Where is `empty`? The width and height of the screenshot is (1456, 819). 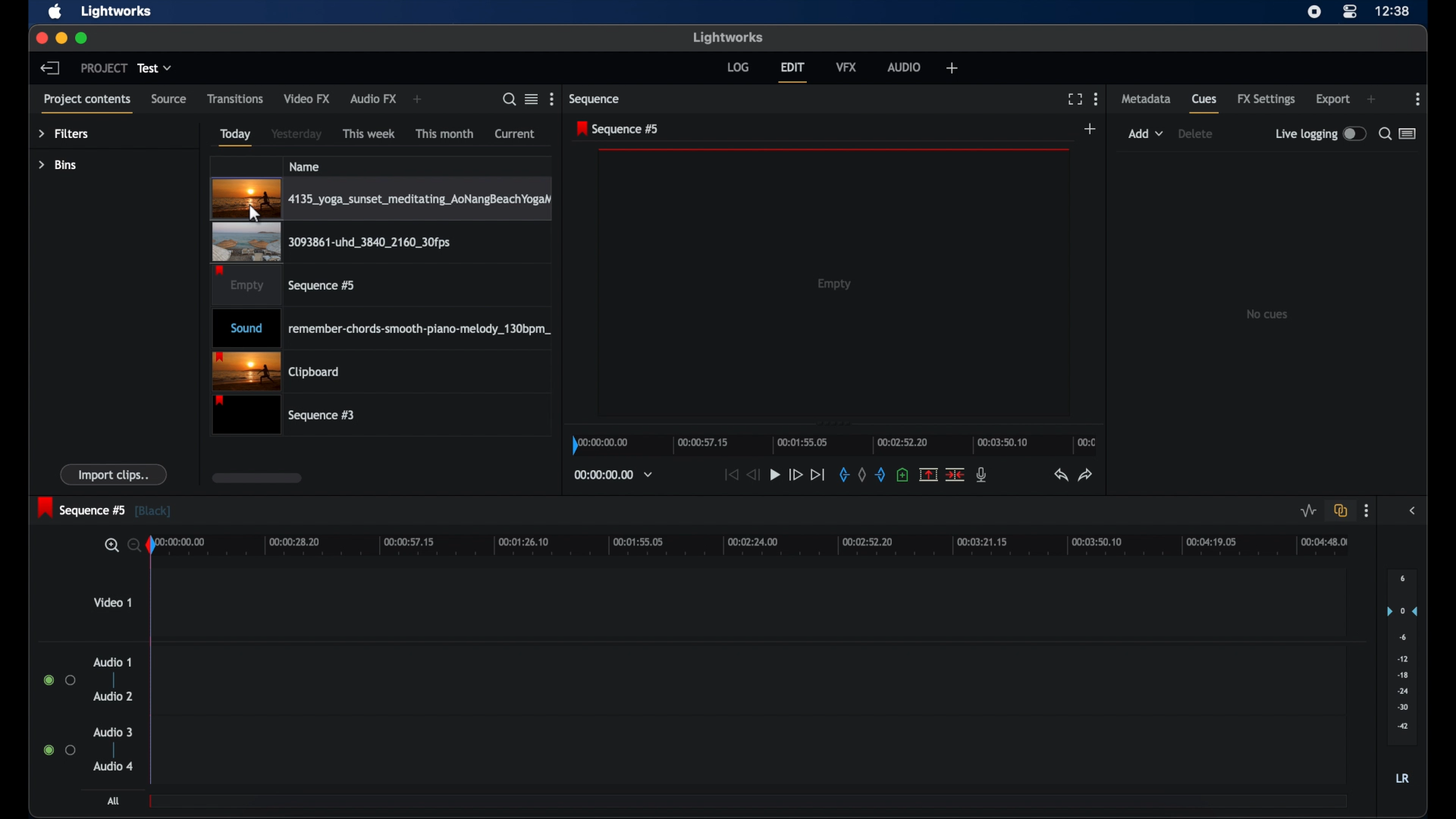 empty is located at coordinates (834, 284).